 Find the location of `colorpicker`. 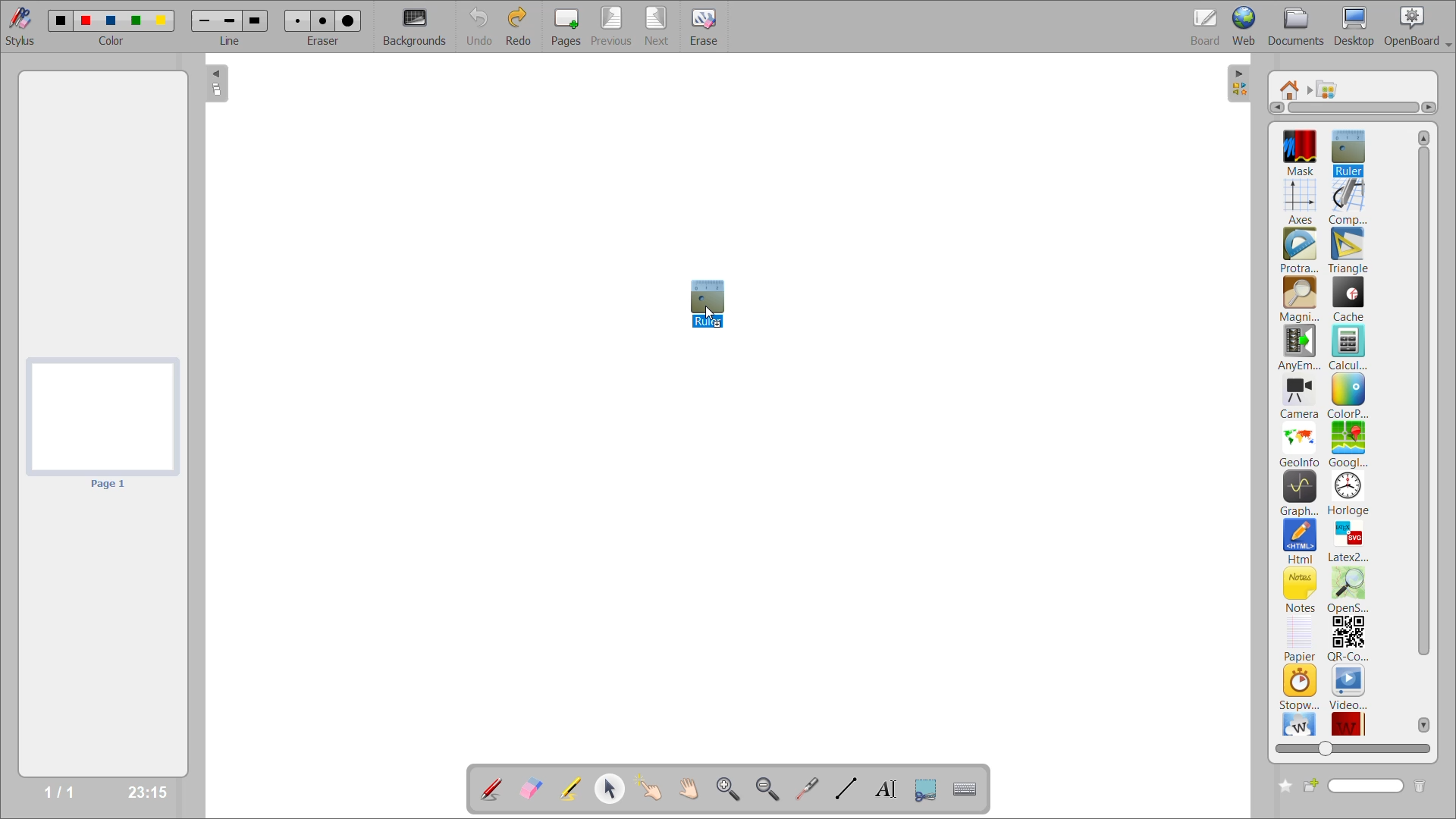

colorpicker is located at coordinates (1348, 396).